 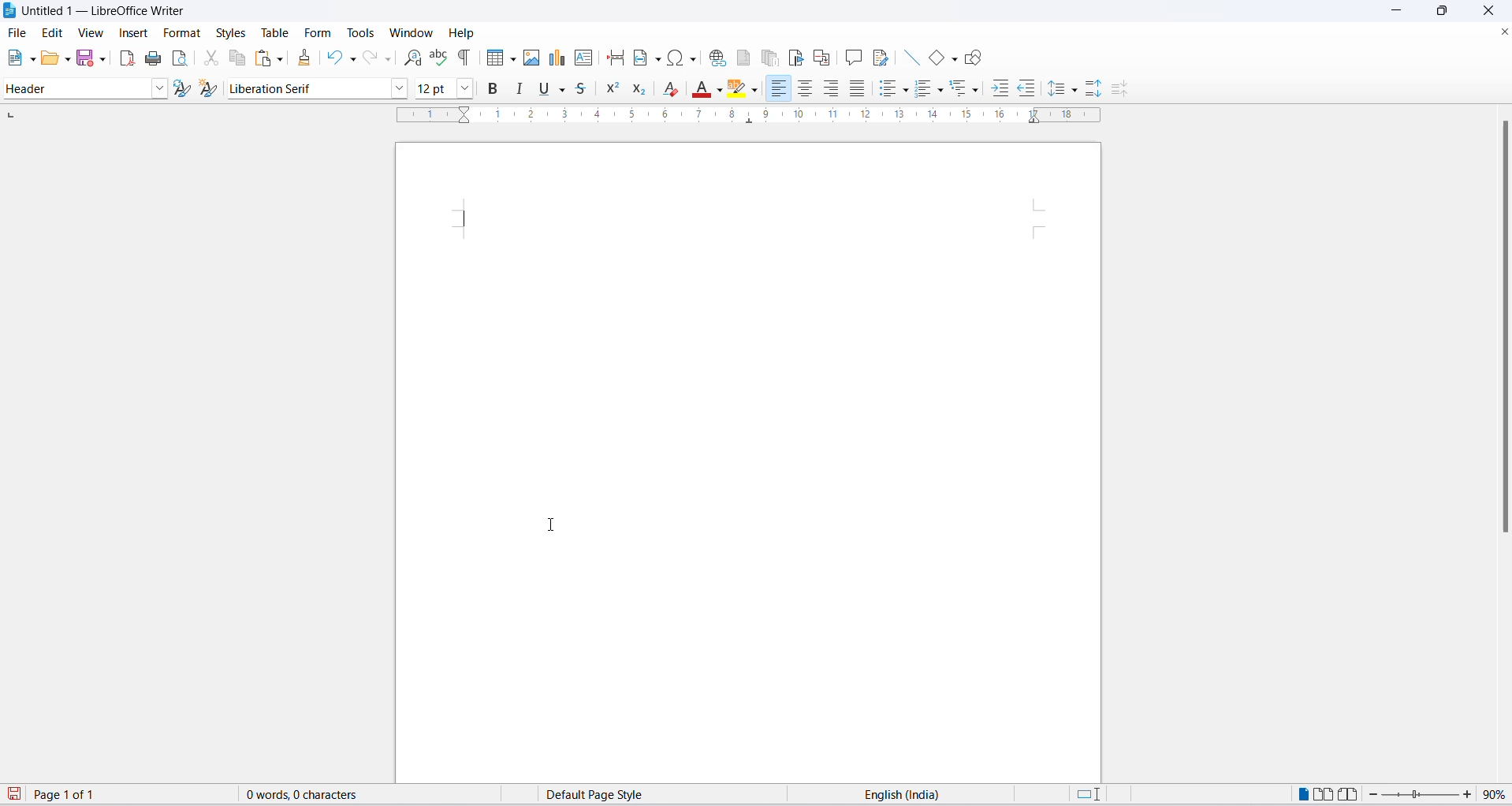 I want to click on open options, so click(x=69, y=58).